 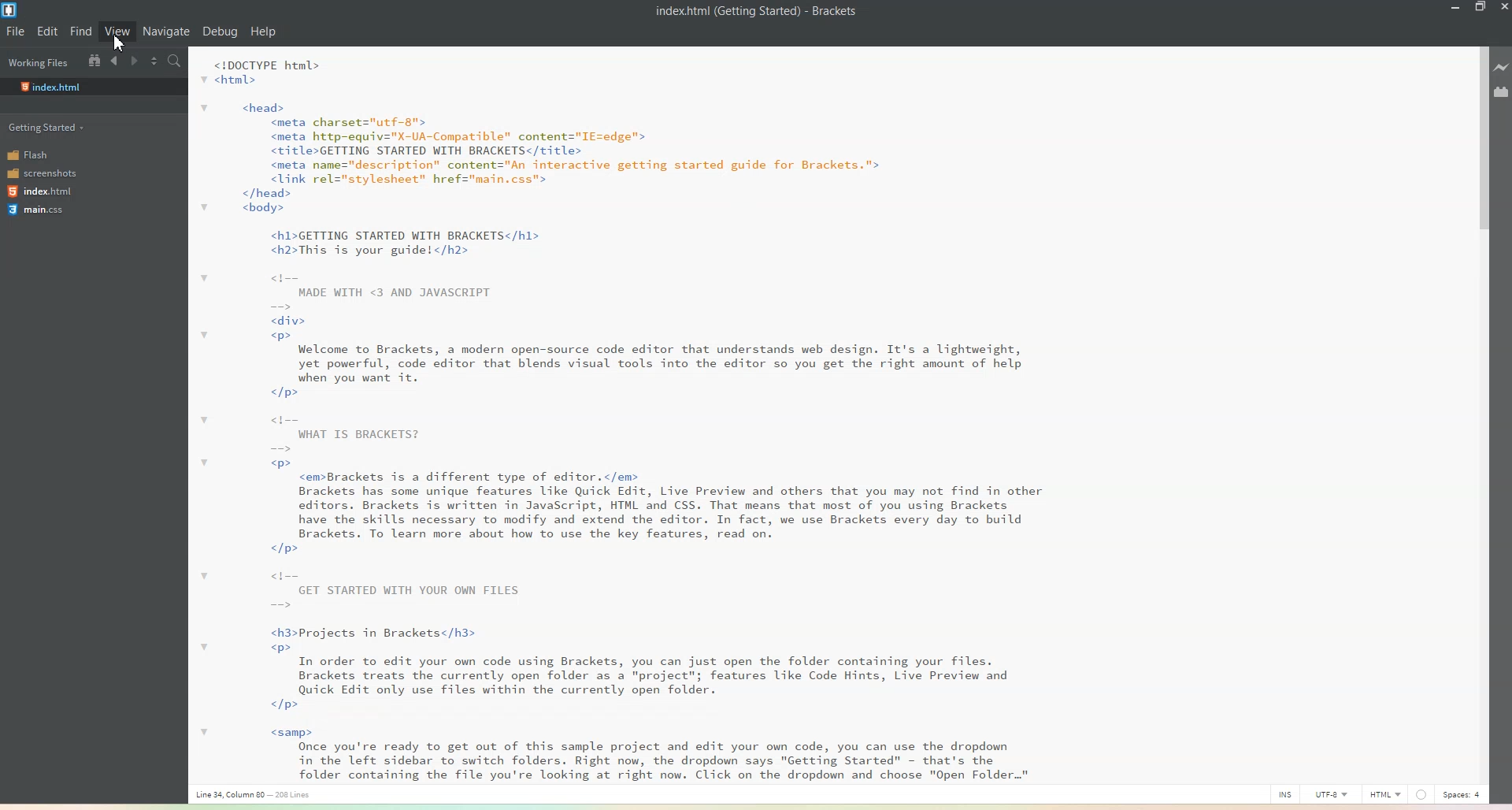 I want to click on Live preview, so click(x=1502, y=65).